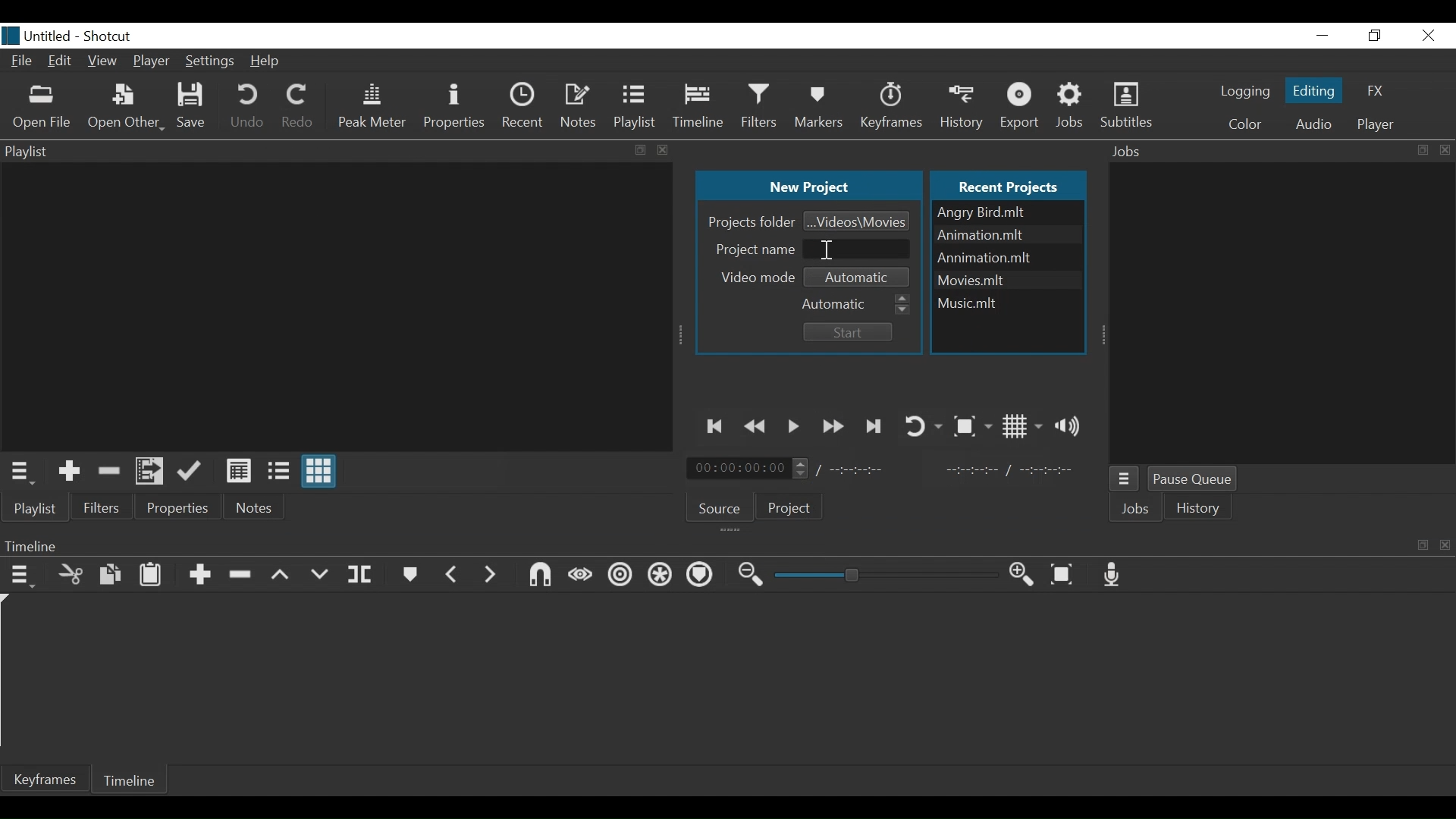  What do you see at coordinates (964, 105) in the screenshot?
I see `History` at bounding box center [964, 105].